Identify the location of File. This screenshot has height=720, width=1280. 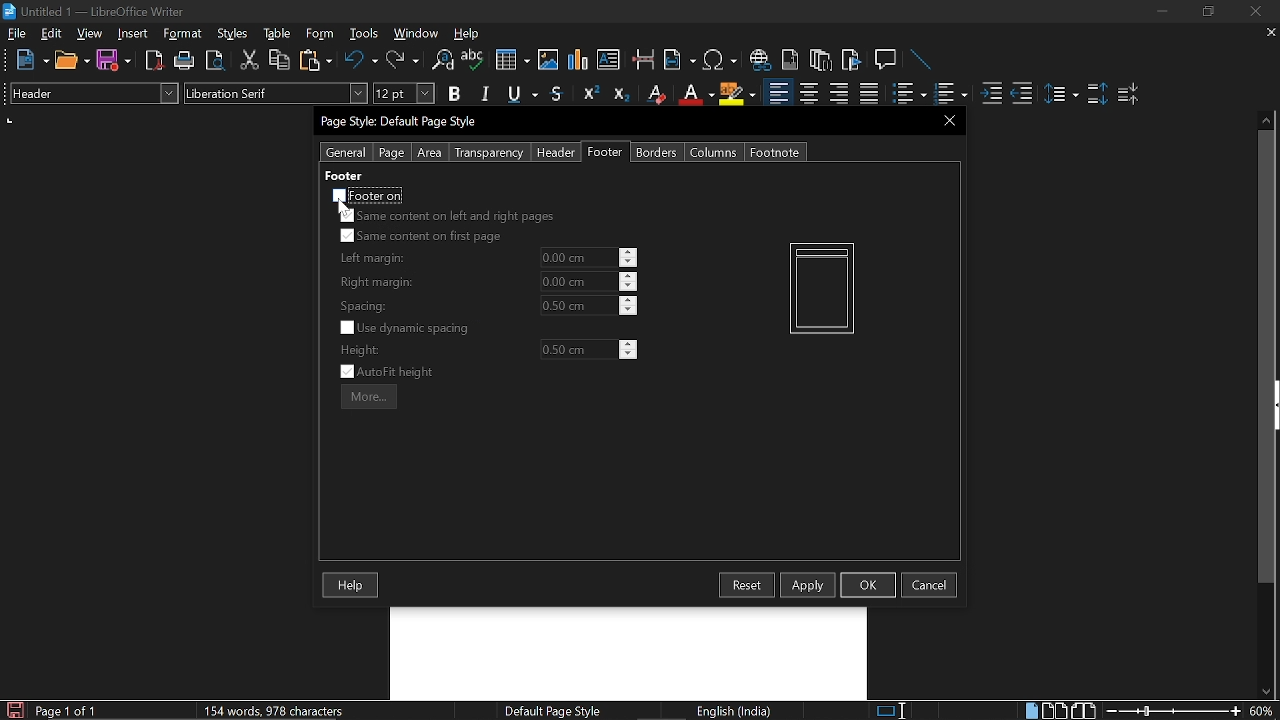
(17, 33).